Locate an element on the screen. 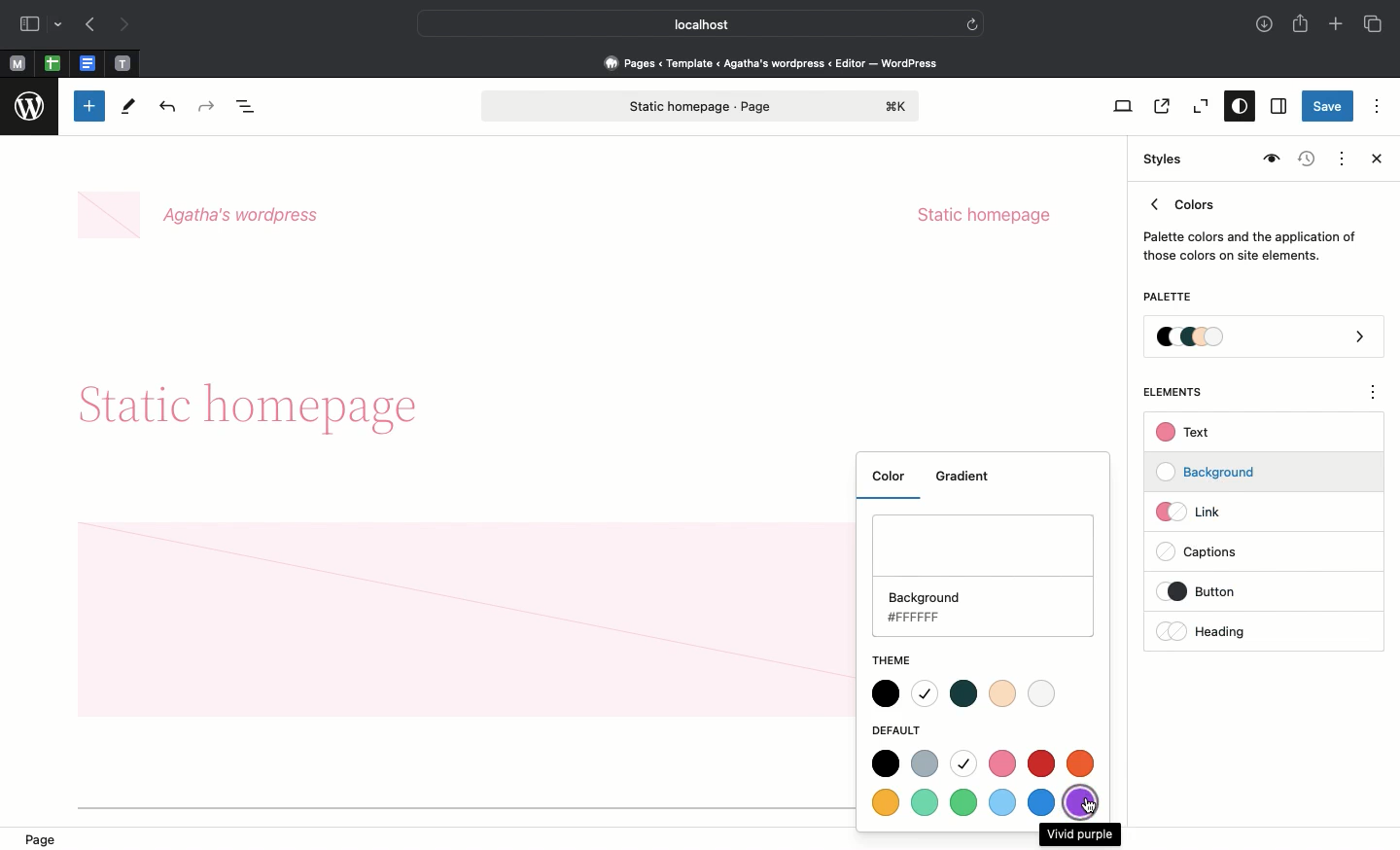 This screenshot has height=850, width=1400. Theme is located at coordinates (899, 658).